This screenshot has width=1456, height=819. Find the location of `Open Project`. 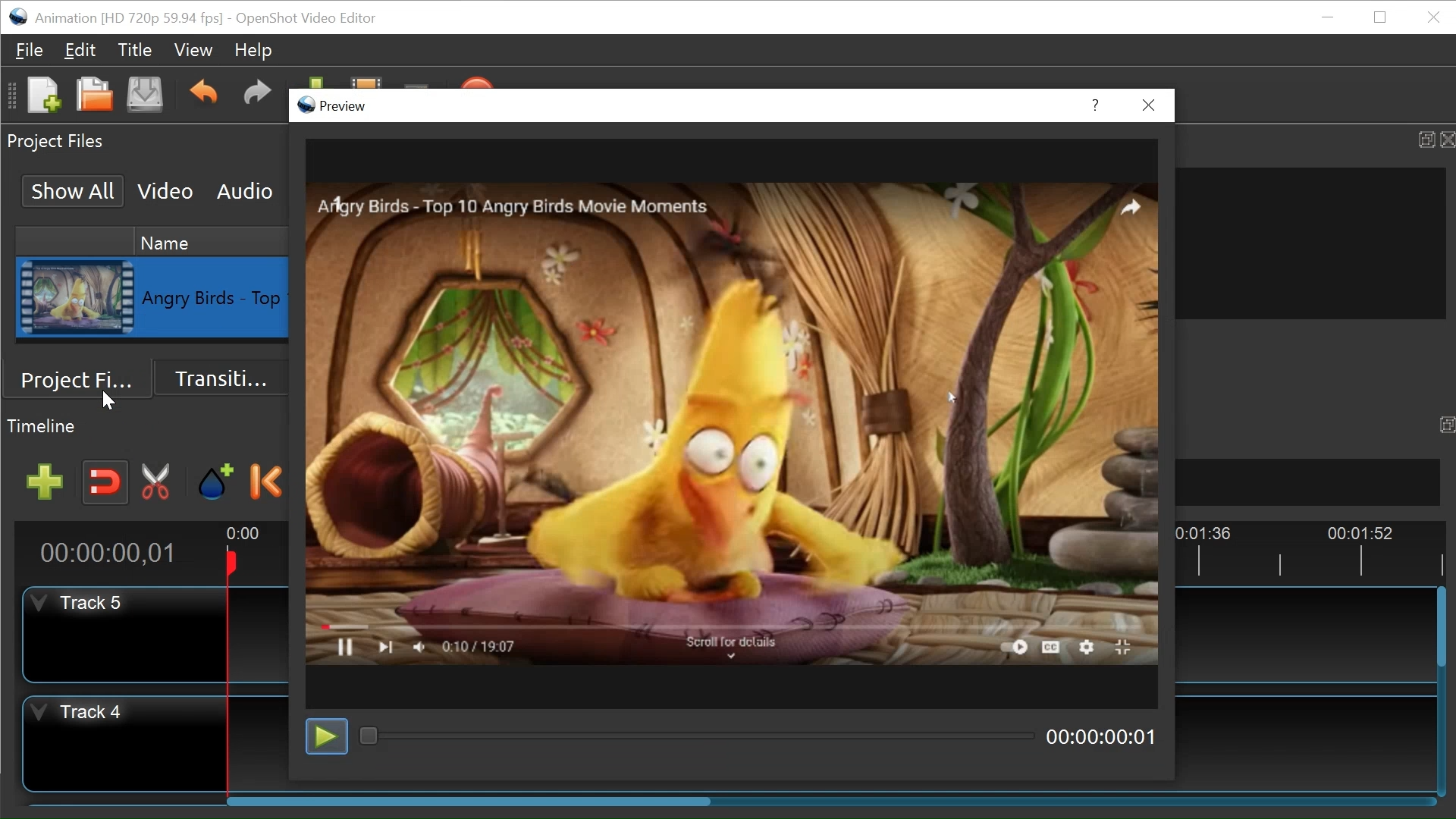

Open Project is located at coordinates (94, 95).